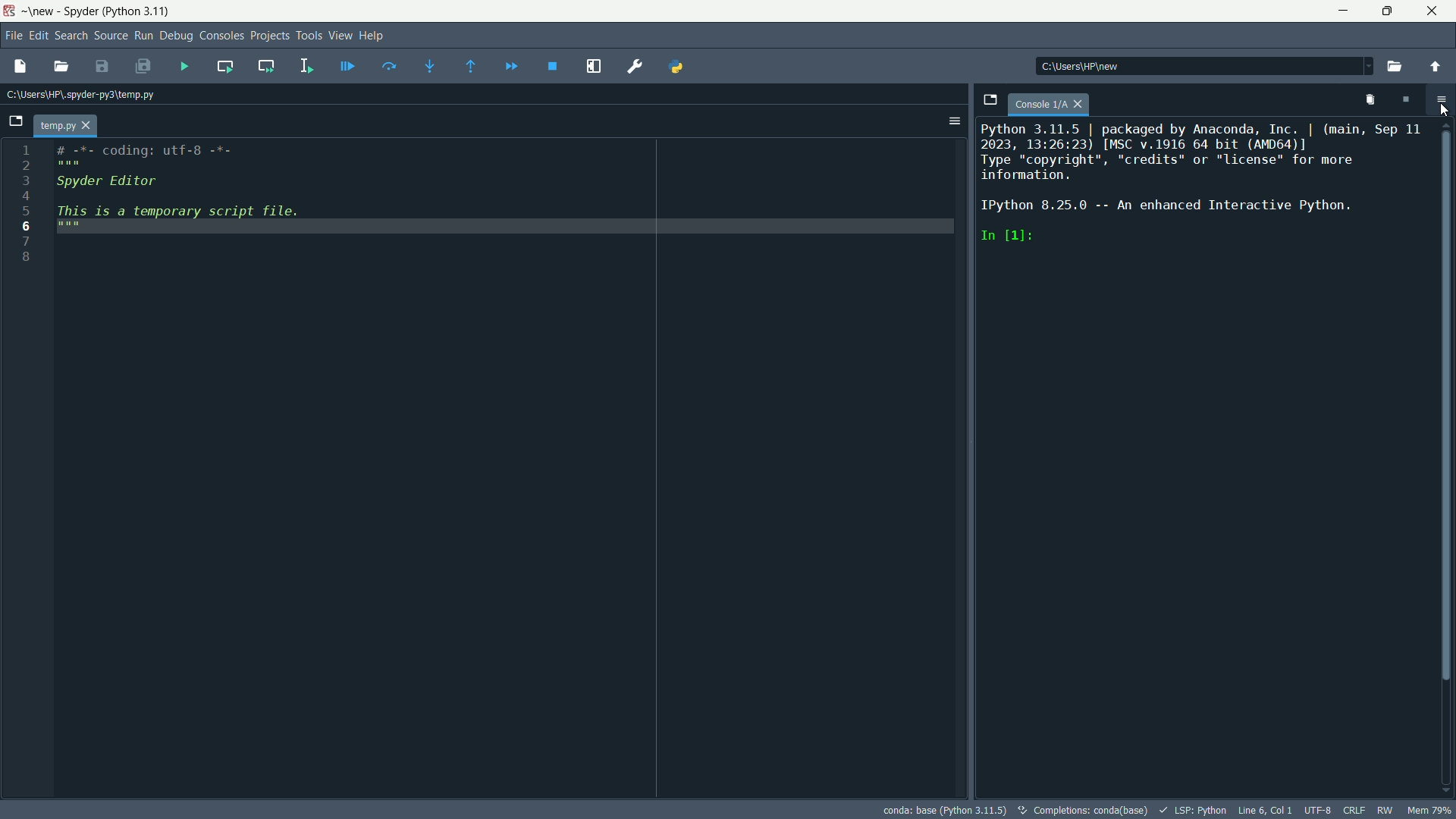 The width and height of the screenshot is (1456, 819). I want to click on browse tabs, so click(990, 101).